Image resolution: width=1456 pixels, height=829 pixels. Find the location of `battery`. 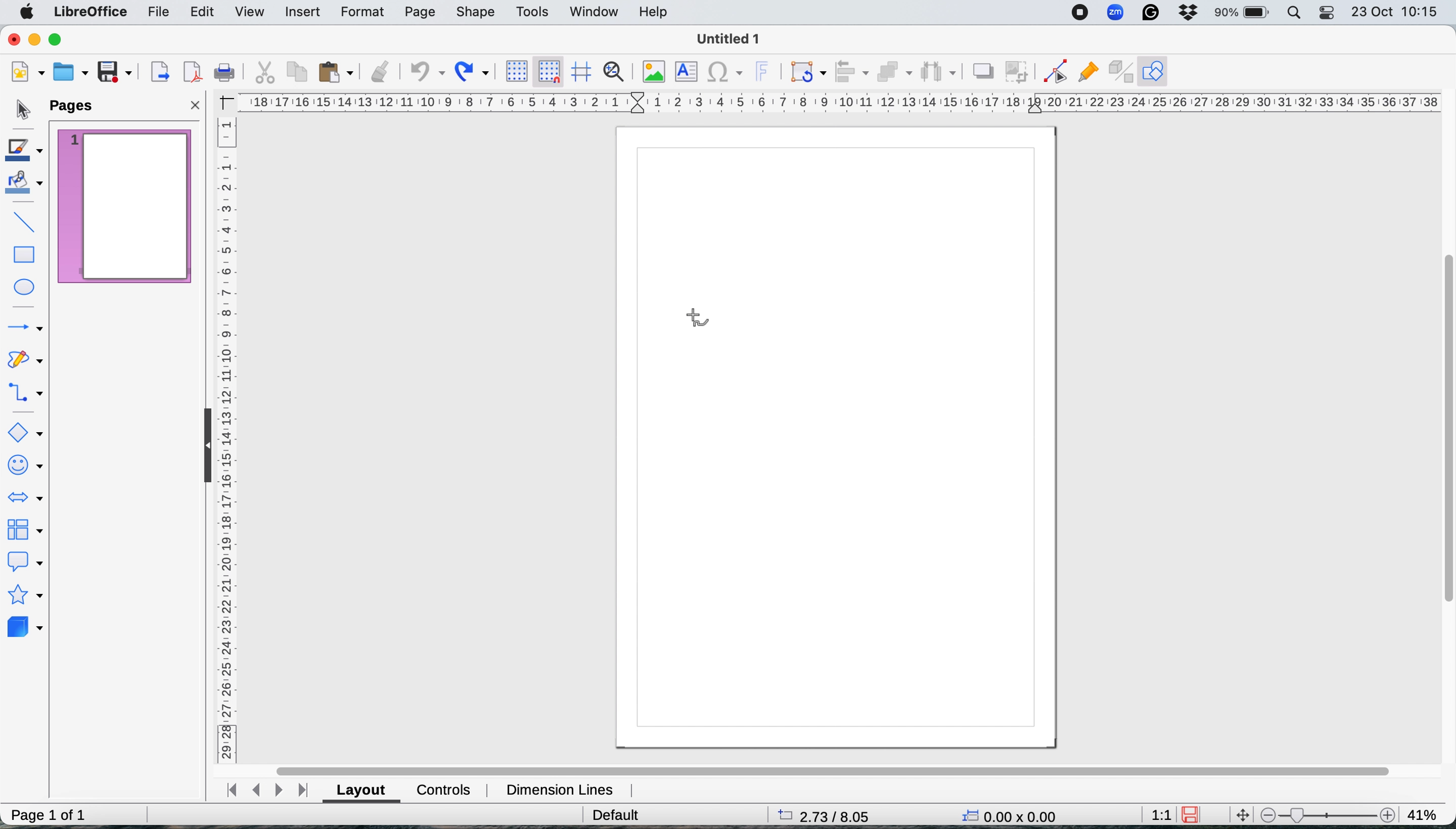

battery is located at coordinates (1242, 14).